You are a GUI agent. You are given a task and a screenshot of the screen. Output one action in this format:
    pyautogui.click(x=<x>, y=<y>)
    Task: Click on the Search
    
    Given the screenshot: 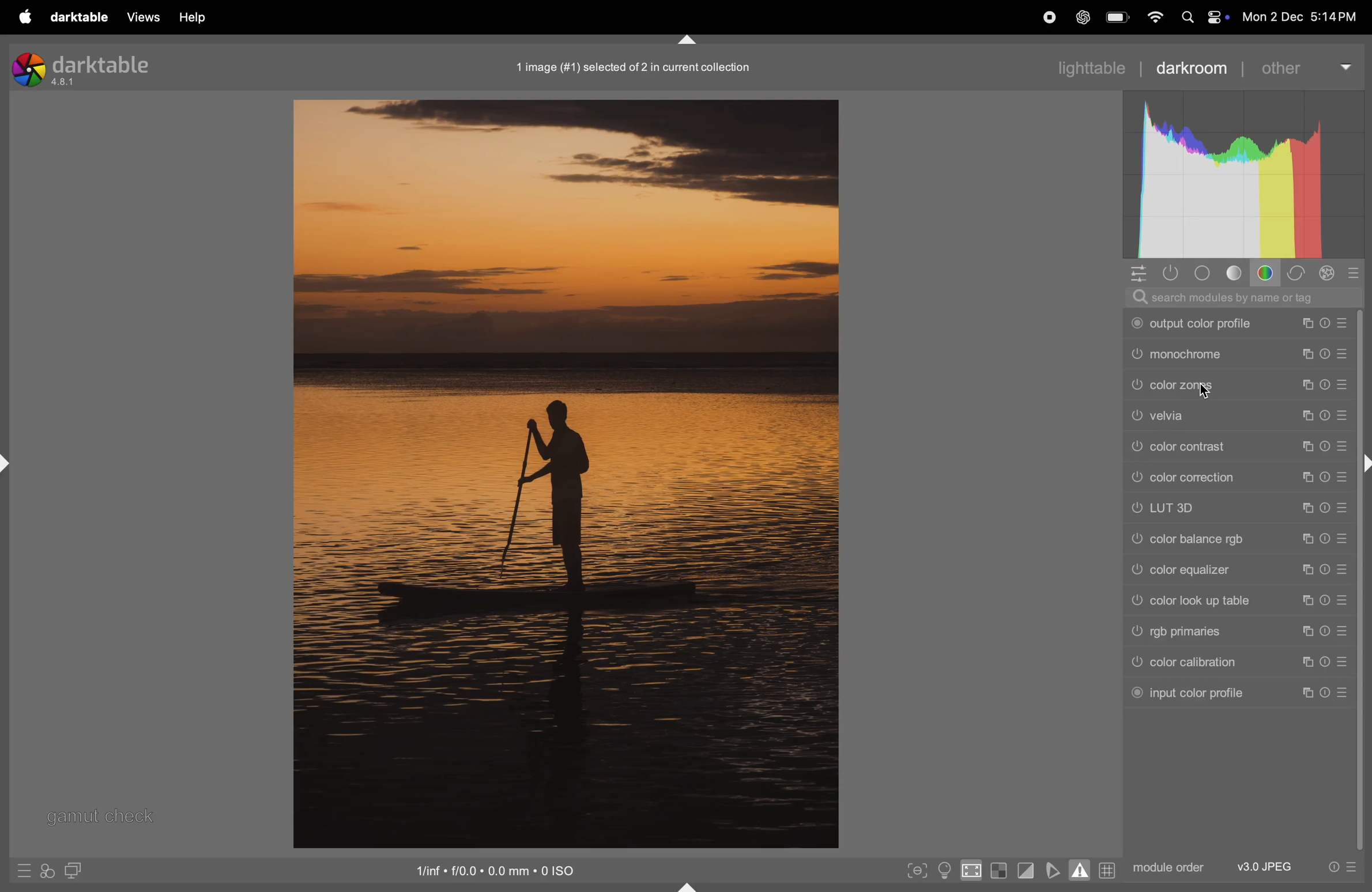 What is the action you would take?
    pyautogui.click(x=1188, y=18)
    